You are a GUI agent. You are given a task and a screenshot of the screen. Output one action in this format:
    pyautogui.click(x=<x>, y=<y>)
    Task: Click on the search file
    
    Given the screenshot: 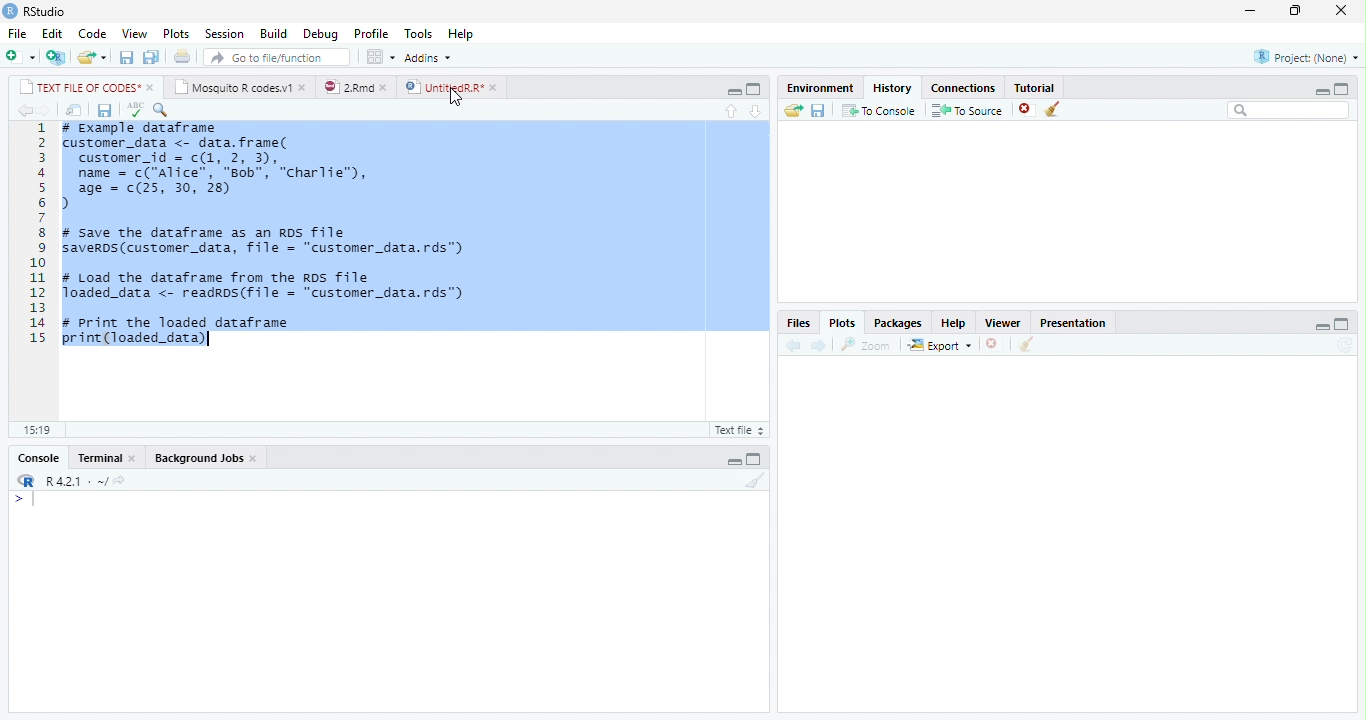 What is the action you would take?
    pyautogui.click(x=278, y=57)
    